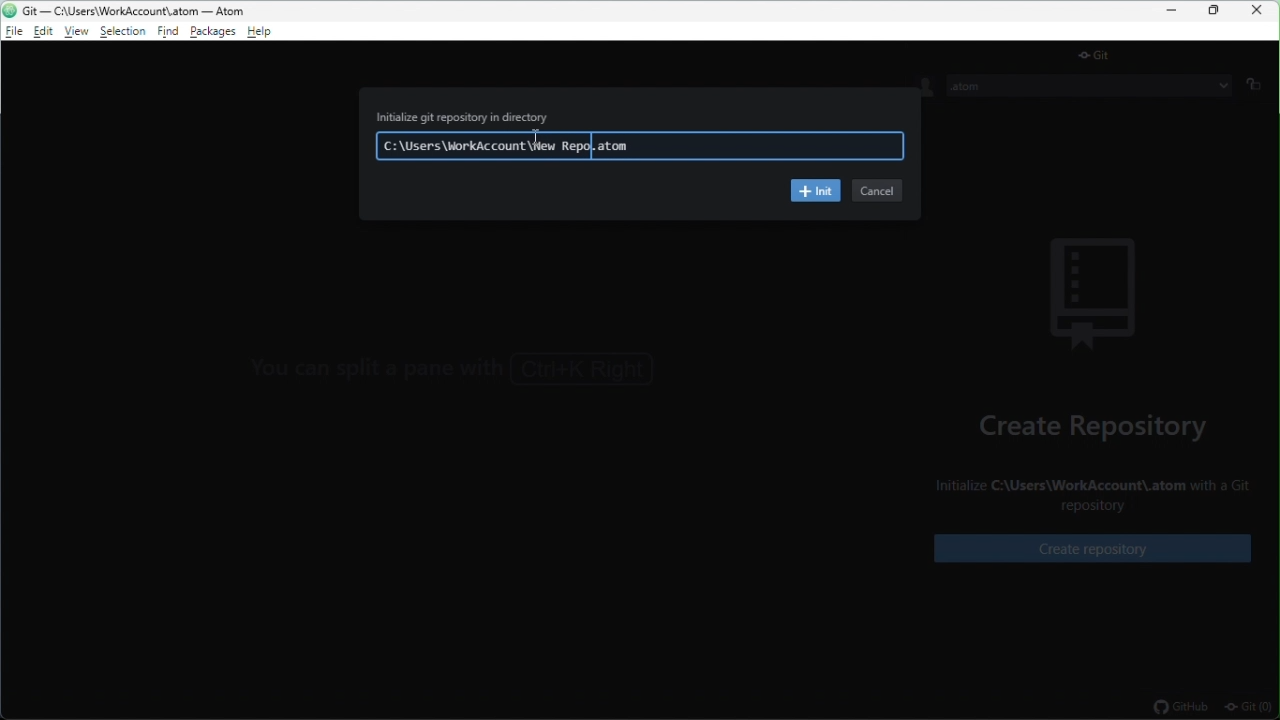 This screenshot has height=720, width=1280. Describe the element at coordinates (1092, 548) in the screenshot. I see `create repository` at that location.